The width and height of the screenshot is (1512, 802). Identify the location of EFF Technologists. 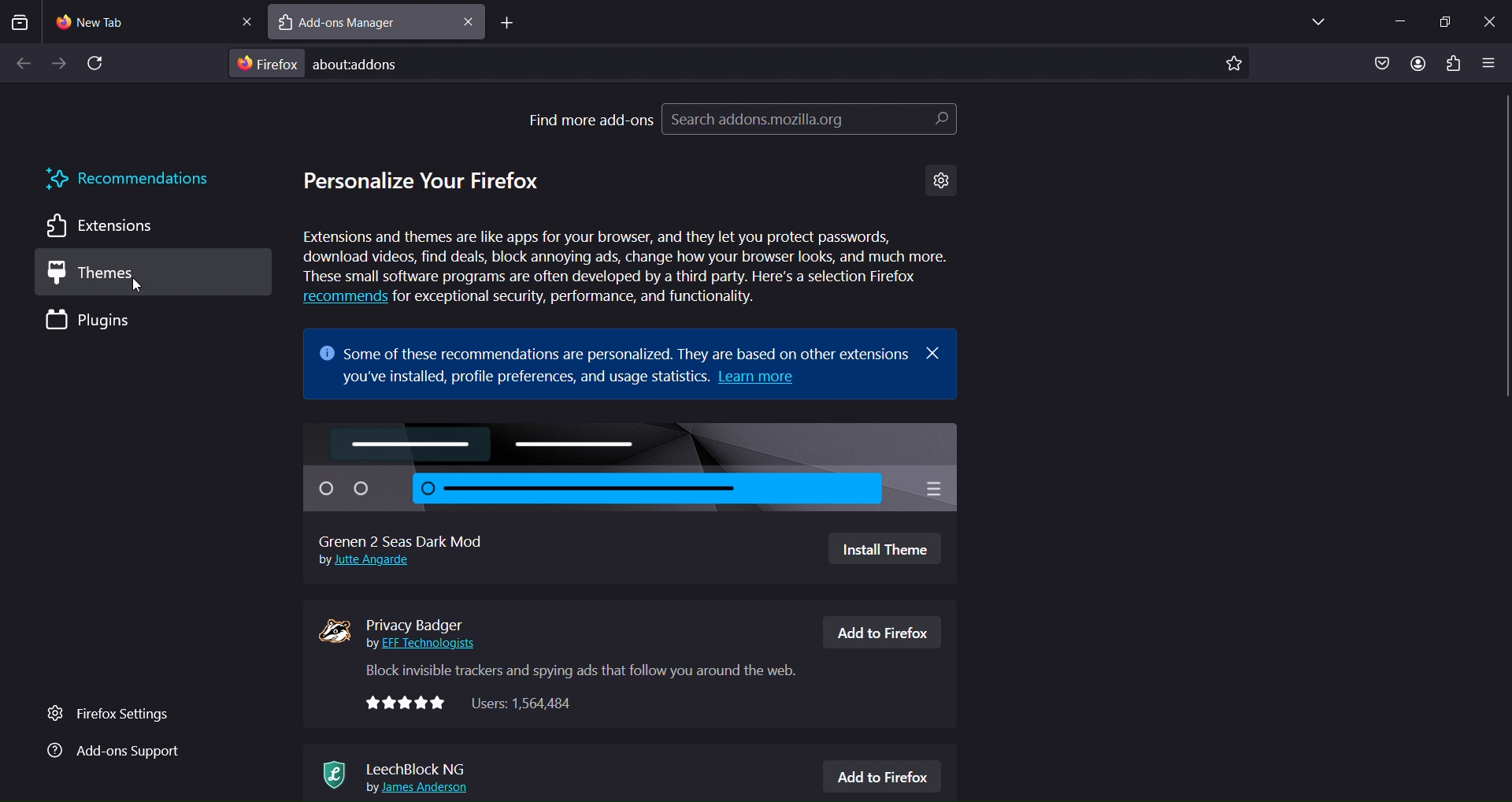
(422, 641).